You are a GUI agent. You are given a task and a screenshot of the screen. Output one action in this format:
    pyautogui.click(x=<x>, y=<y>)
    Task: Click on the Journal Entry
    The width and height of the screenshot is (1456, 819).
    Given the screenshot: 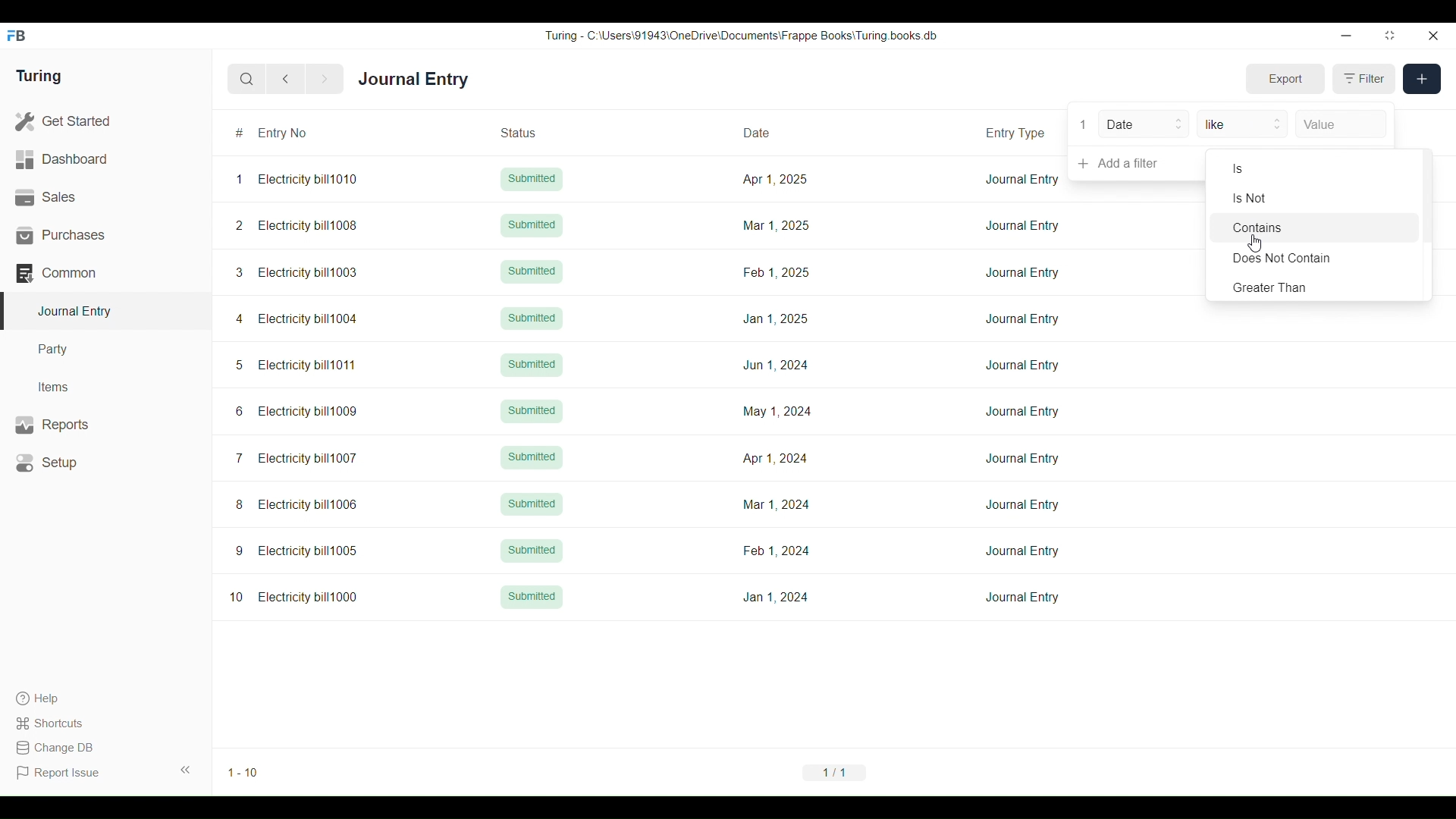 What is the action you would take?
    pyautogui.click(x=1022, y=318)
    